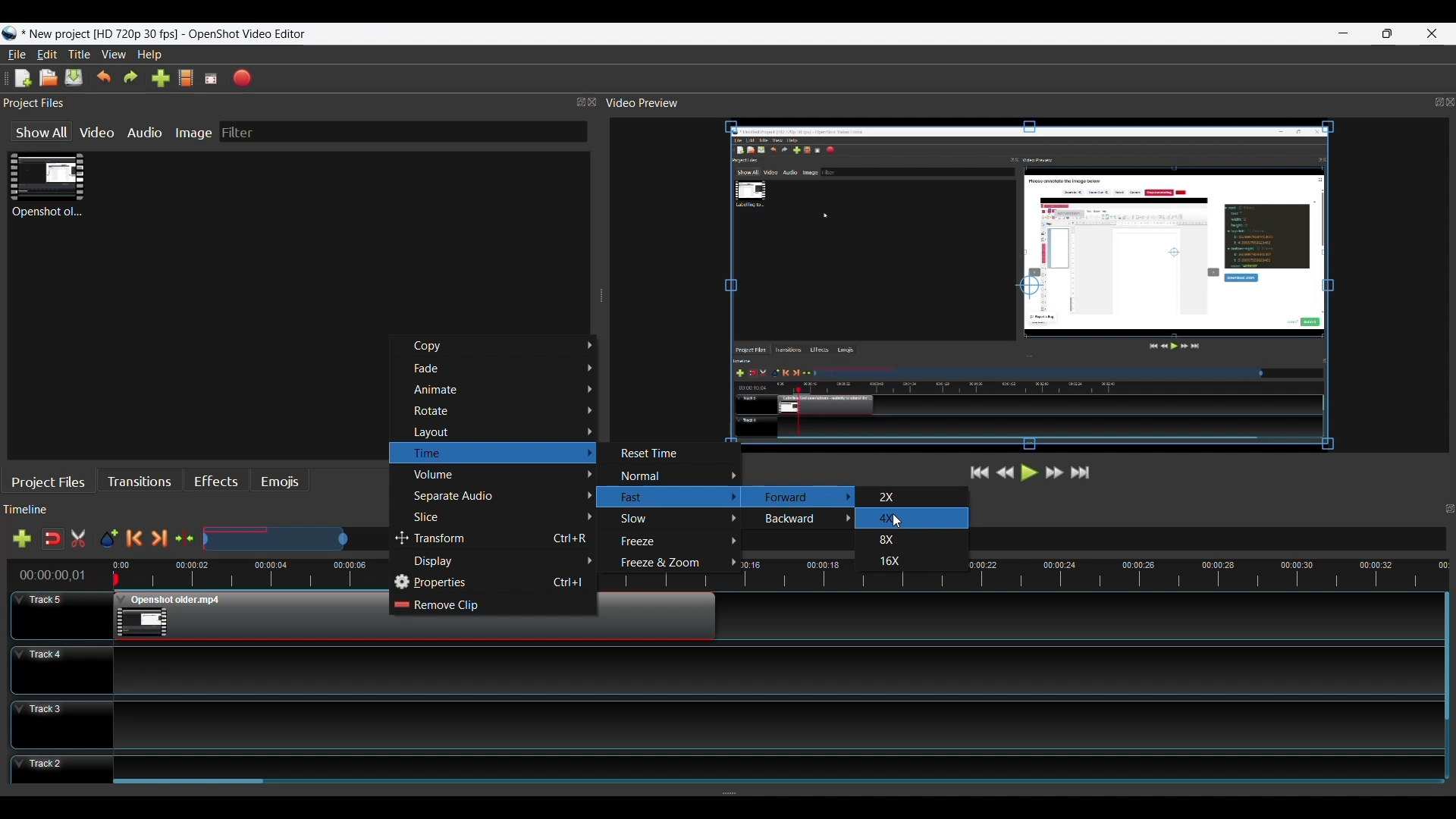 Image resolution: width=1456 pixels, height=819 pixels. What do you see at coordinates (671, 497) in the screenshot?
I see `Fast` at bounding box center [671, 497].